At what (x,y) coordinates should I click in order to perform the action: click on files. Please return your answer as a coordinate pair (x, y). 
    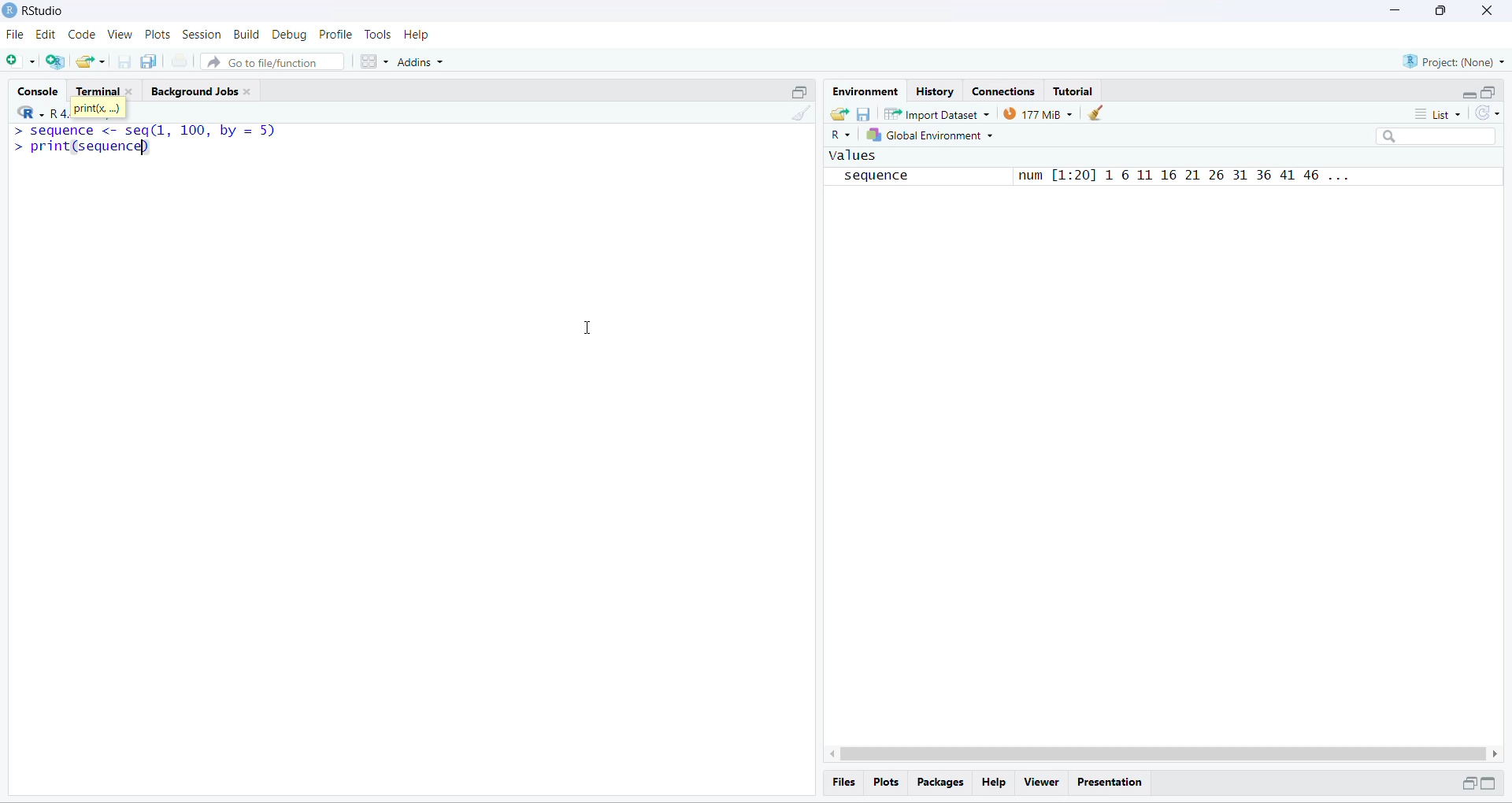
    Looking at the image, I should click on (846, 782).